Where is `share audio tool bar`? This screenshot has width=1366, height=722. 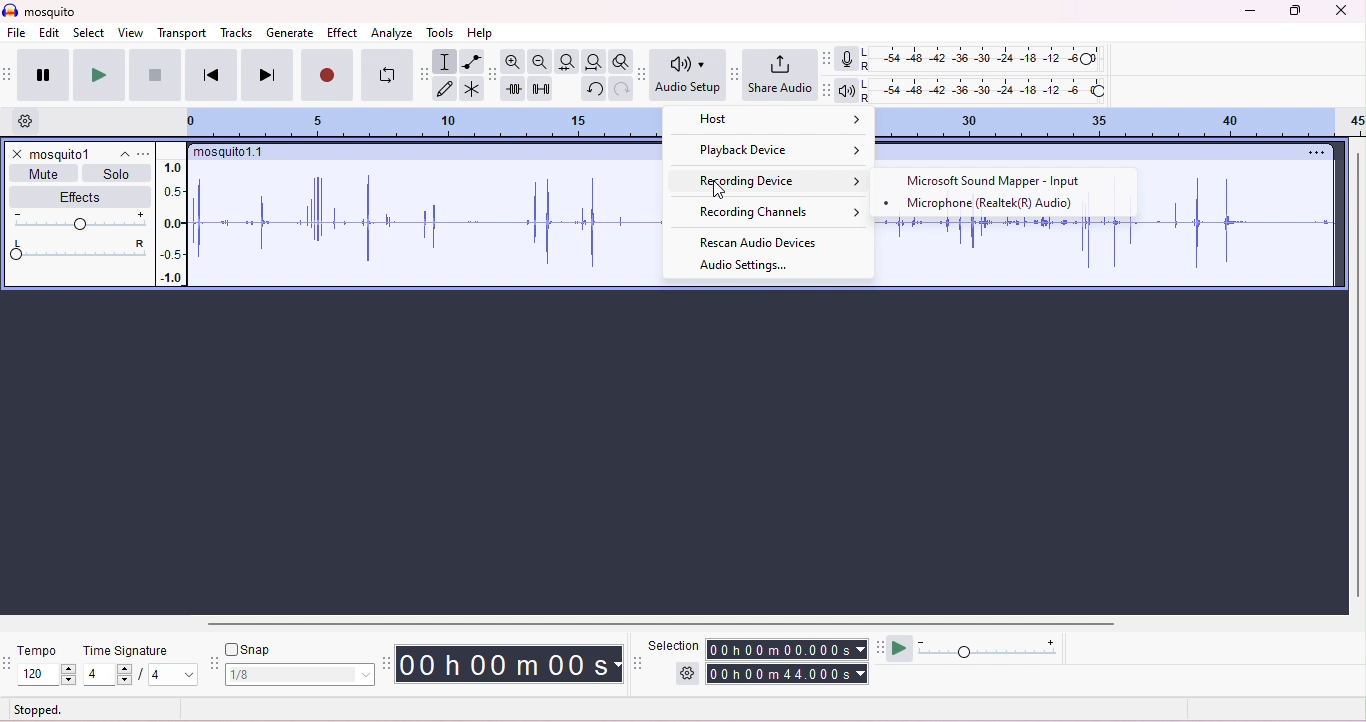
share audio tool bar is located at coordinates (734, 74).